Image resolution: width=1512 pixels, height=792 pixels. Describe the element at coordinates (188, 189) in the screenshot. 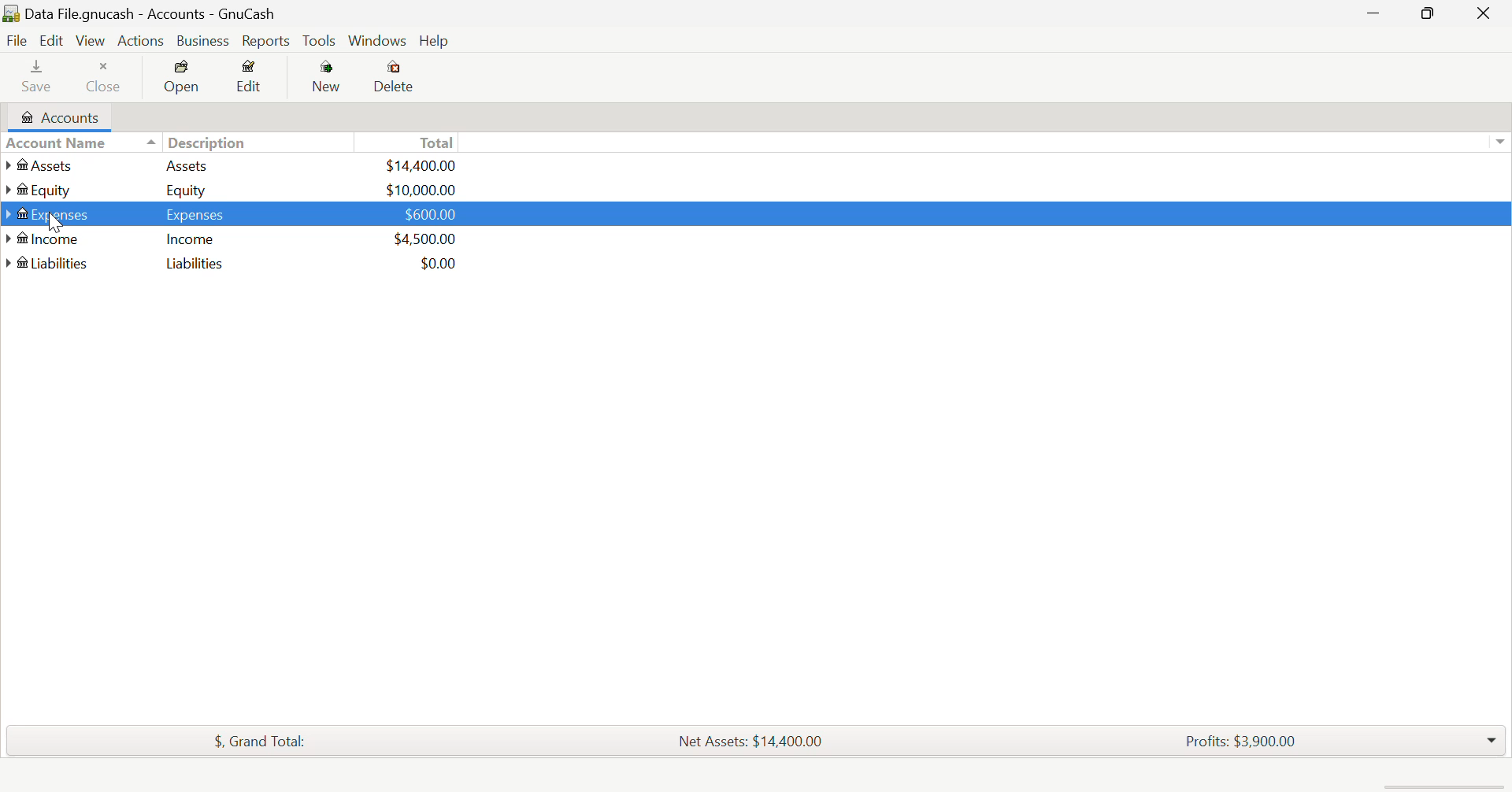

I see `Equity` at that location.